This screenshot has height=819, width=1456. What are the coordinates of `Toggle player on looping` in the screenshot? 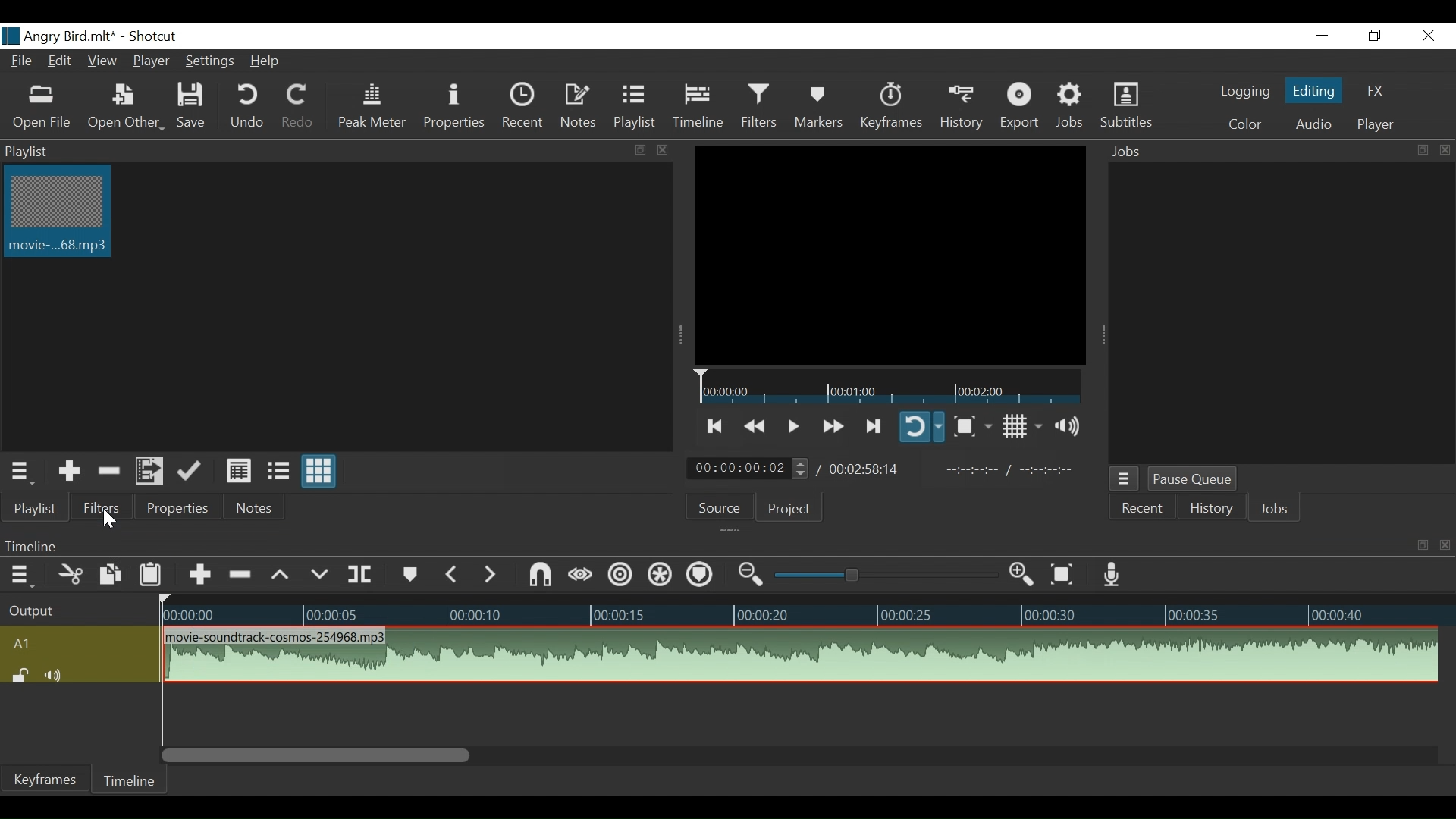 It's located at (923, 428).